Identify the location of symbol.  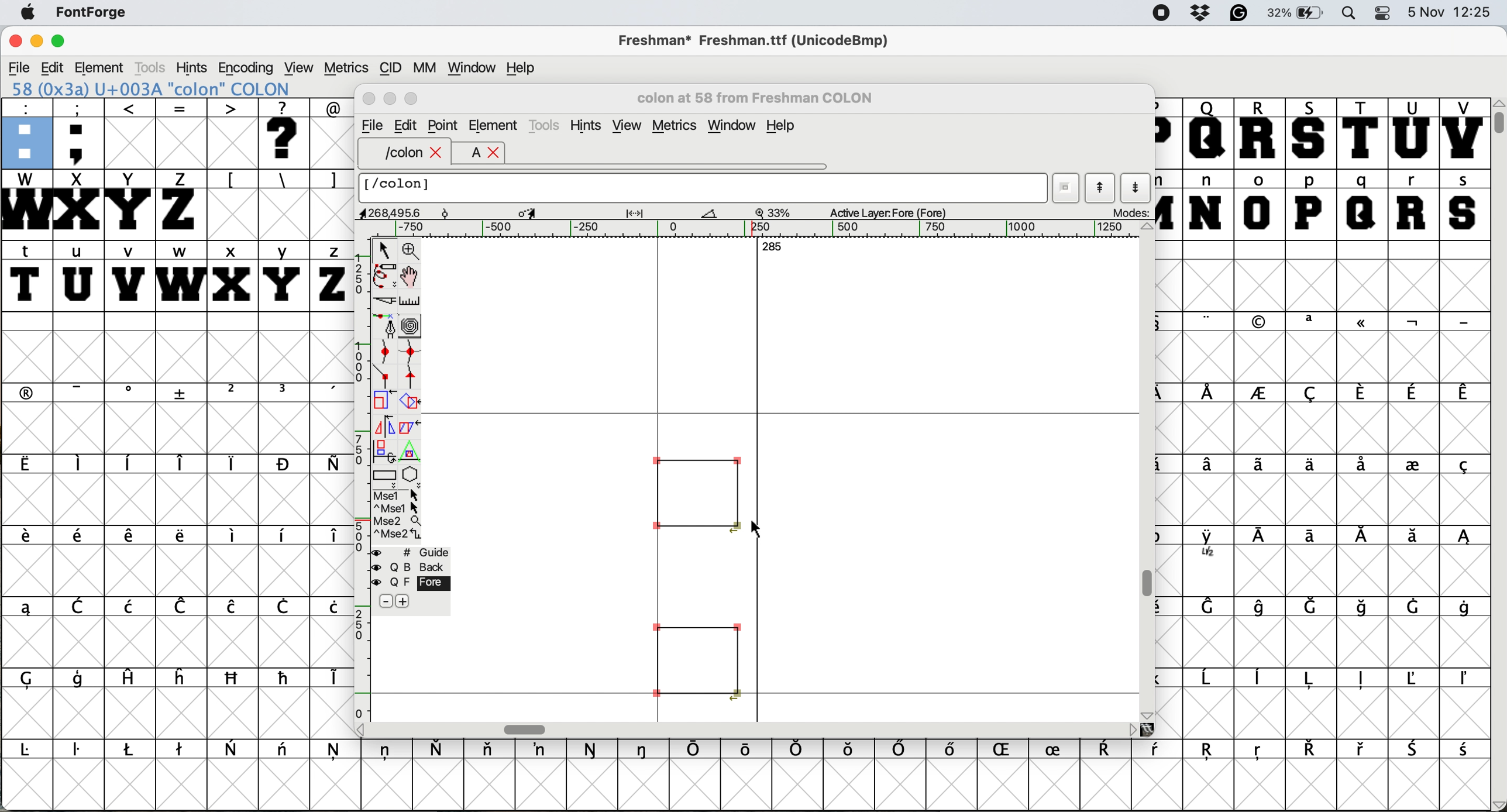
(1312, 679).